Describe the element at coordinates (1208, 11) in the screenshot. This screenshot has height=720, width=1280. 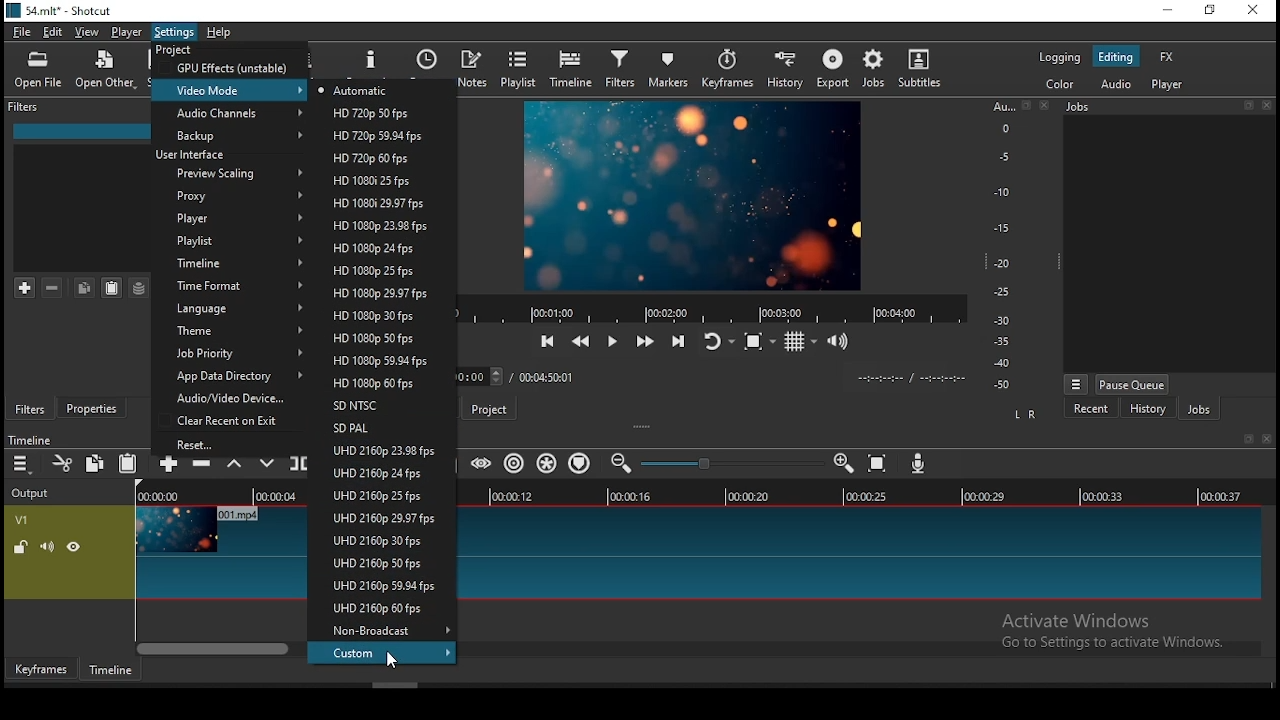
I see `restore` at that location.